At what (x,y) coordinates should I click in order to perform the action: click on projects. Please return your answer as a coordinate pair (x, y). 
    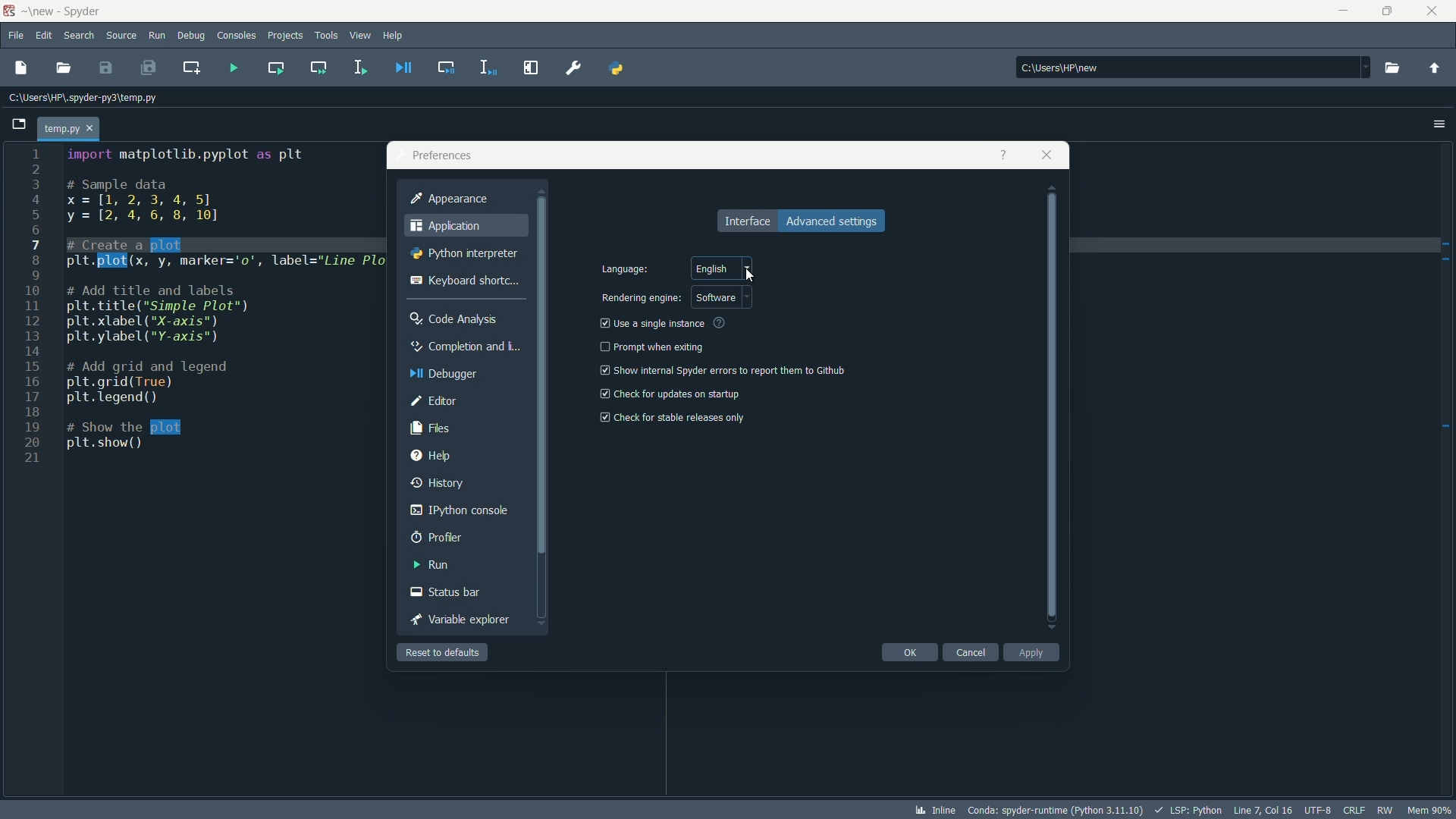
    Looking at the image, I should click on (288, 36).